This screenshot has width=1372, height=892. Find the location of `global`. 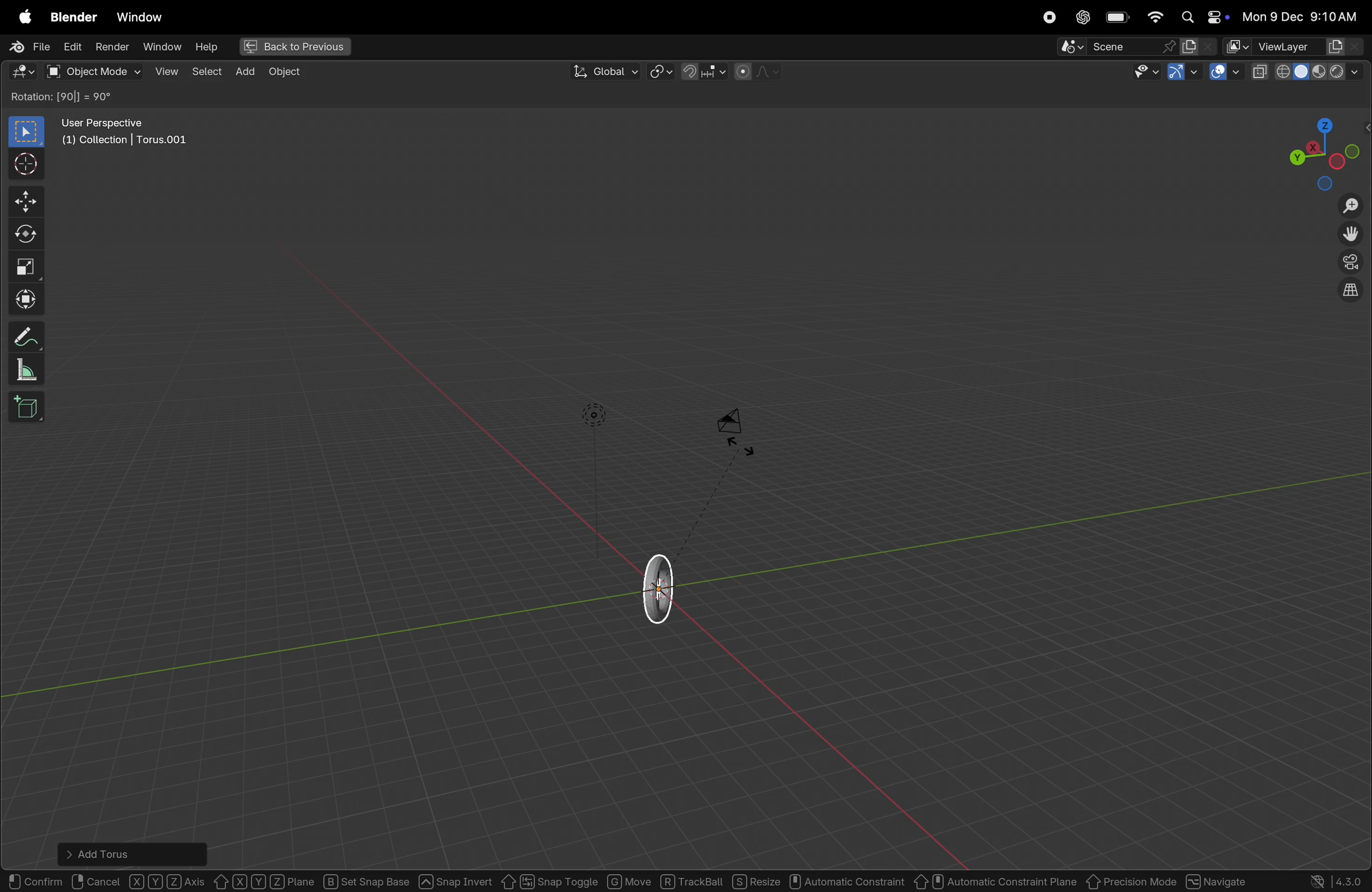

global is located at coordinates (602, 72).